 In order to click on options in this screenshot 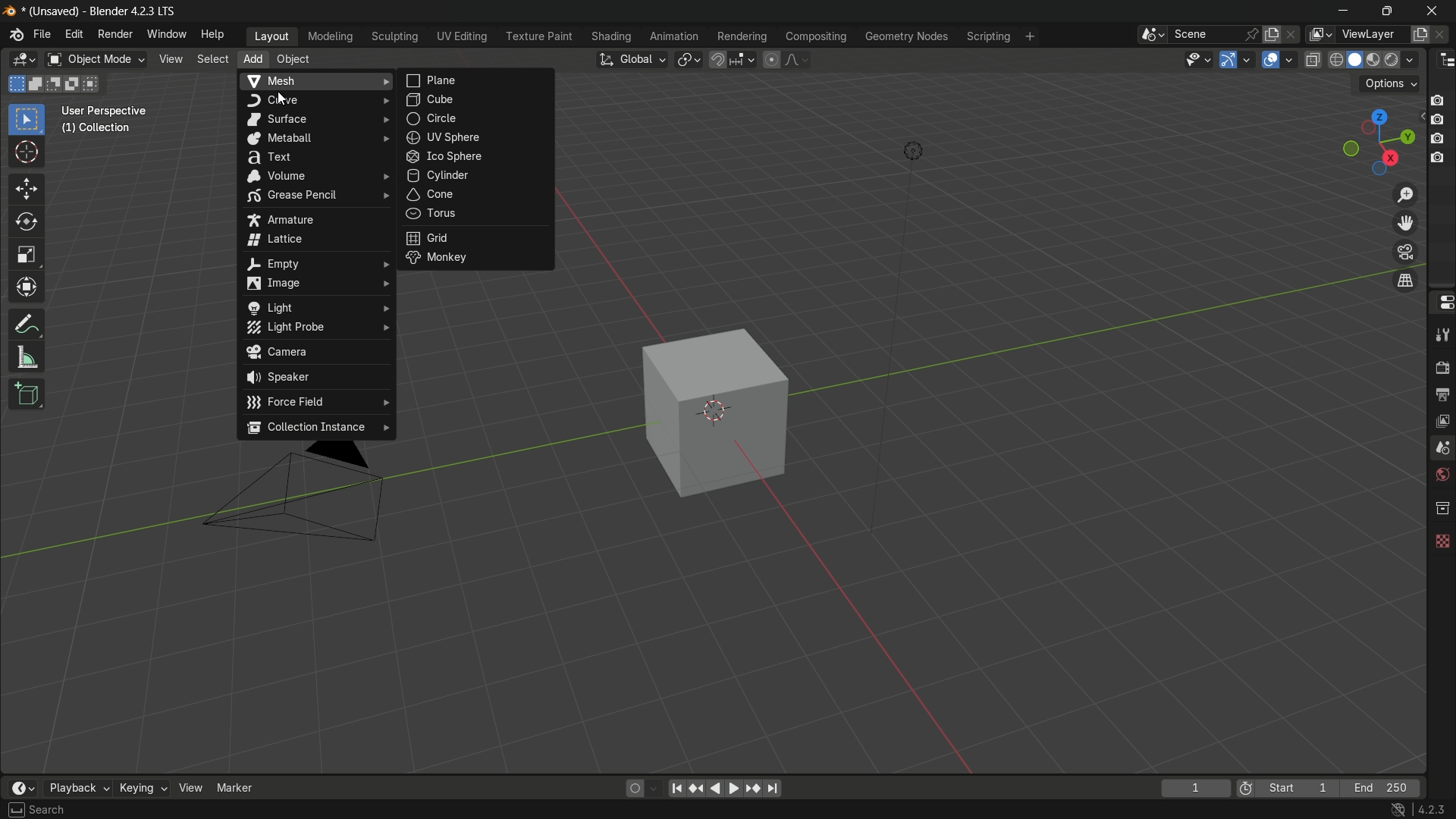, I will do `click(1389, 85)`.